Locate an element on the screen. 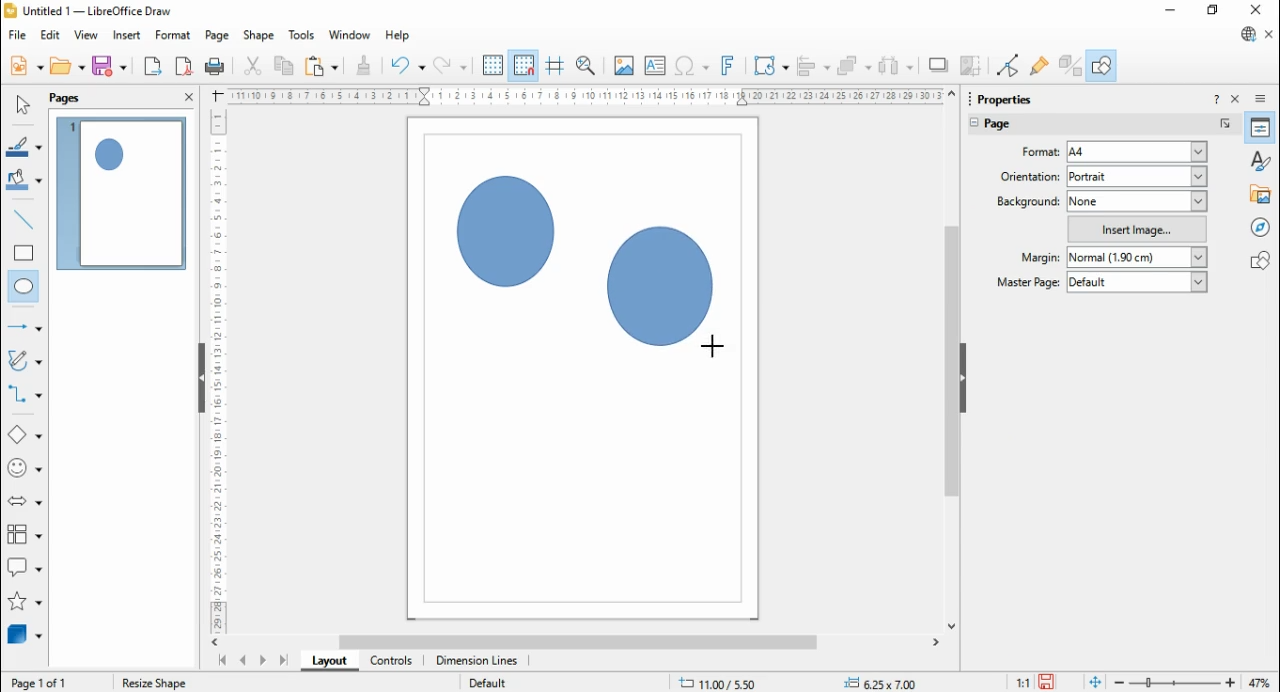  rectangle is located at coordinates (24, 252).